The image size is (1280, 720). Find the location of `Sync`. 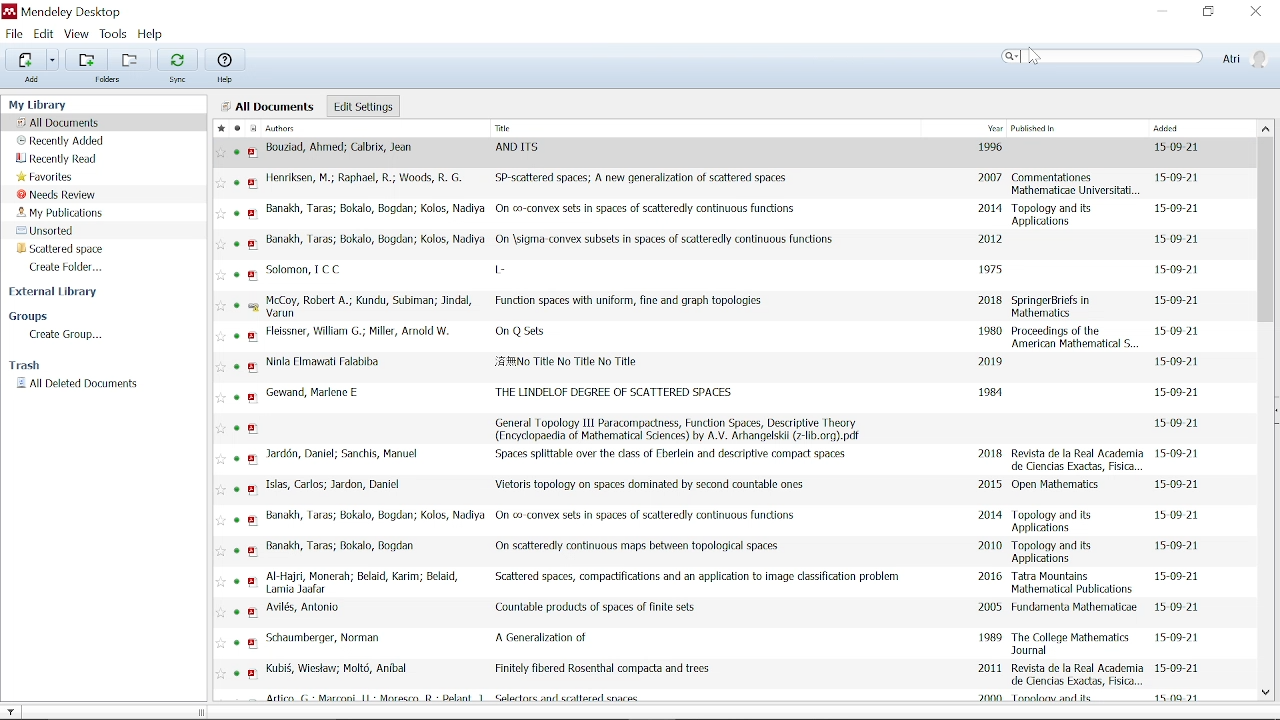

Sync is located at coordinates (178, 66).